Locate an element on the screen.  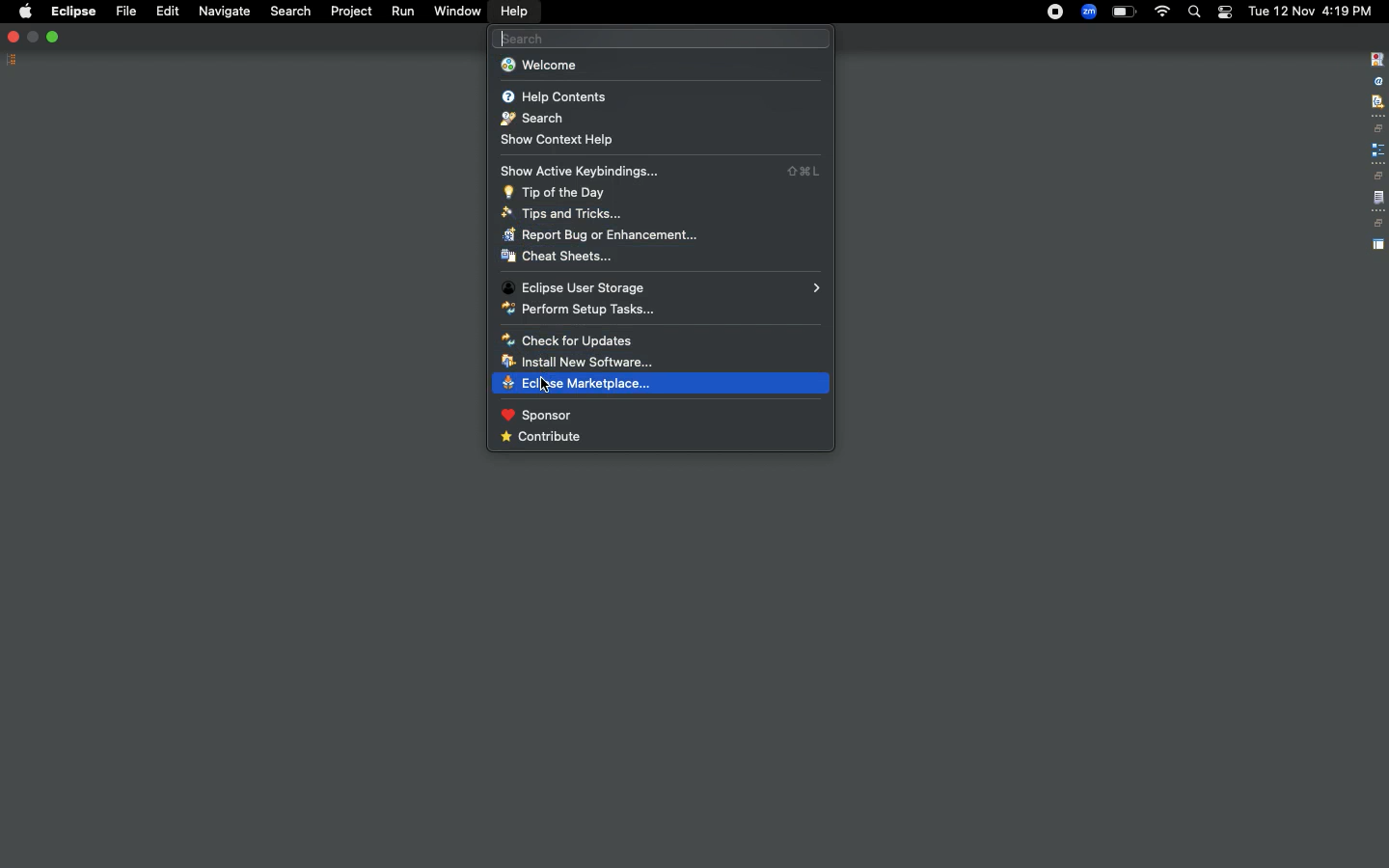
Search is located at coordinates (531, 120).